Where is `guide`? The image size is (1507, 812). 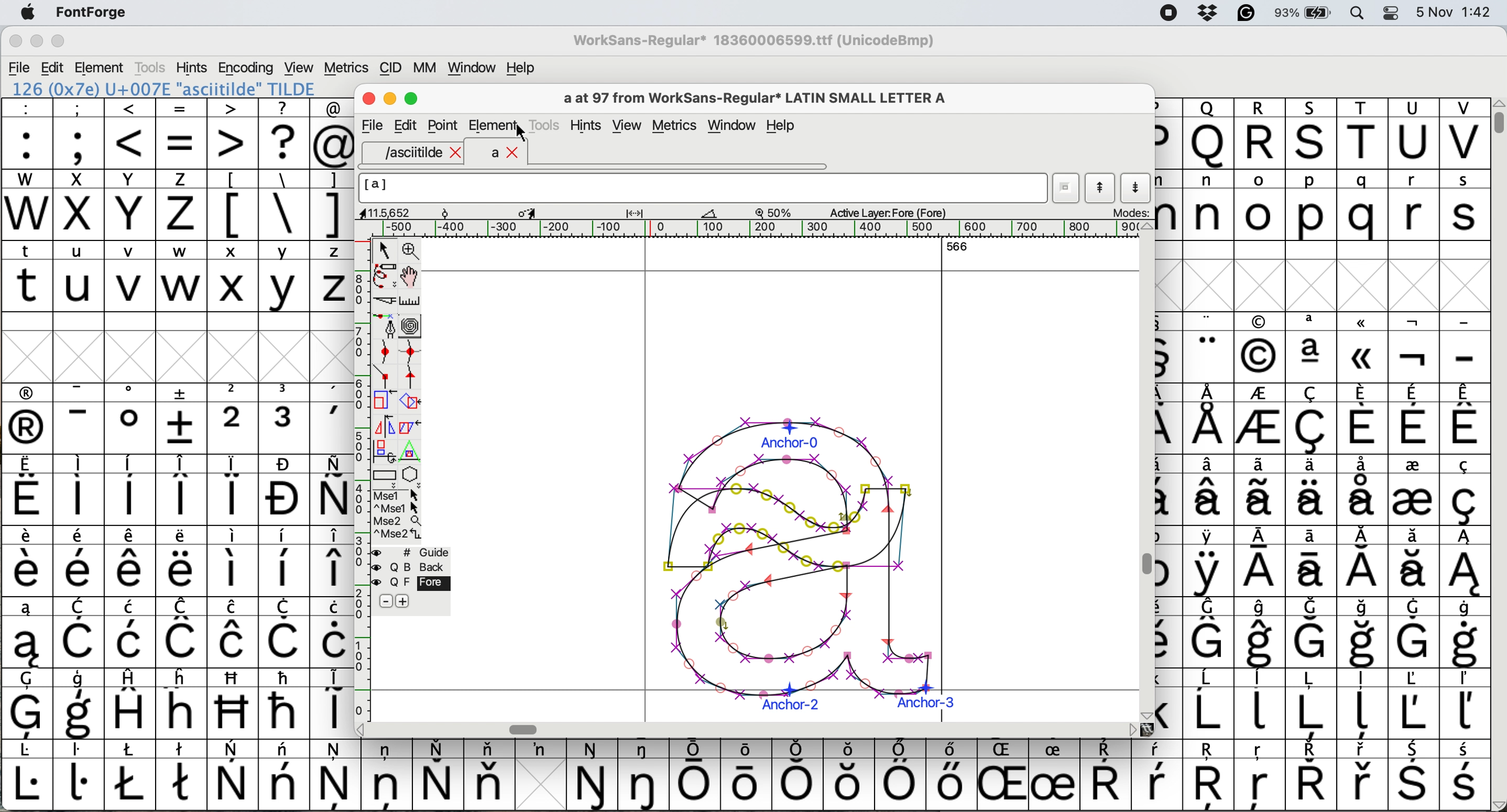
guide is located at coordinates (418, 550).